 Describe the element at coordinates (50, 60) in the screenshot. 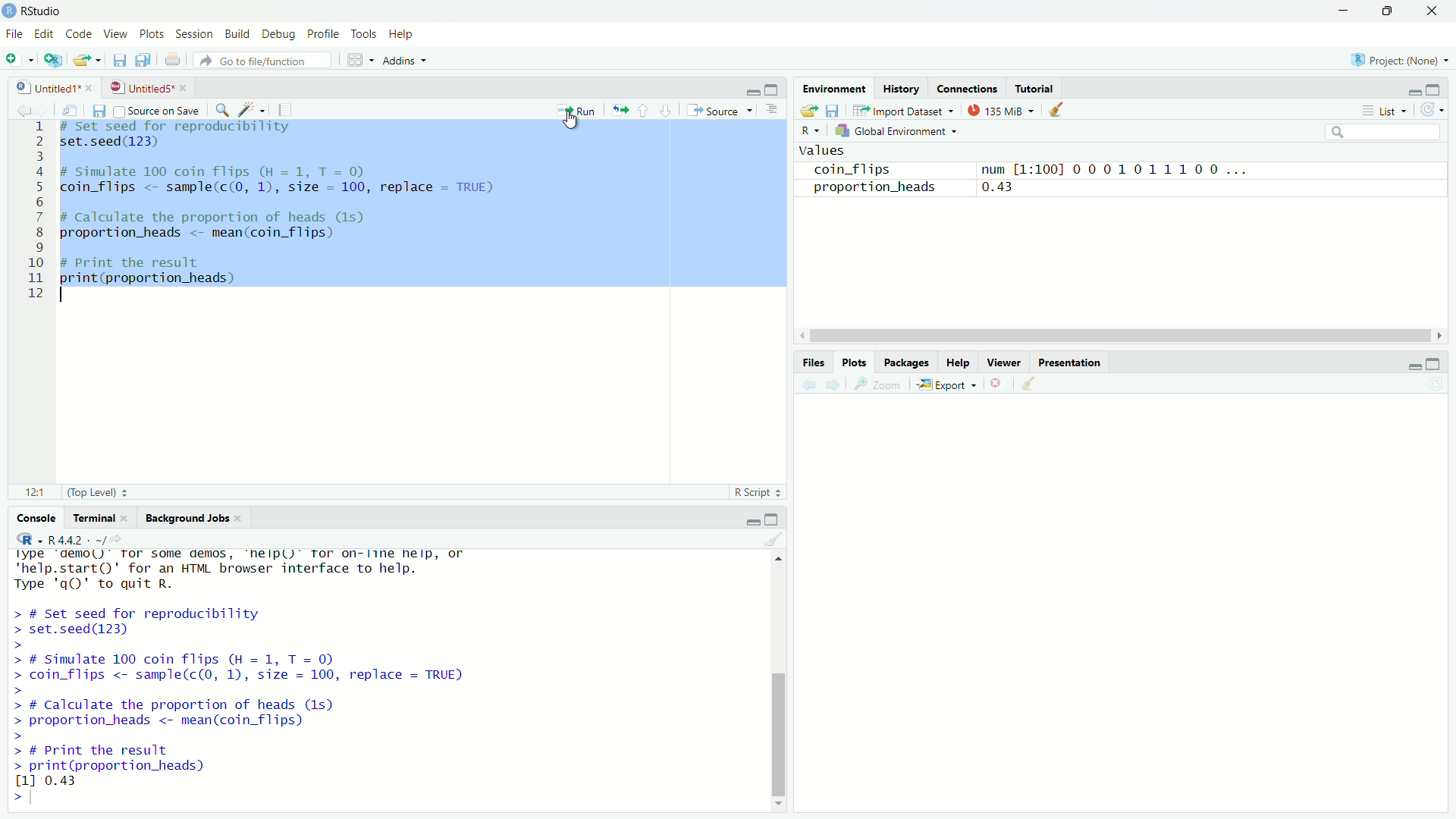

I see `create a project` at that location.